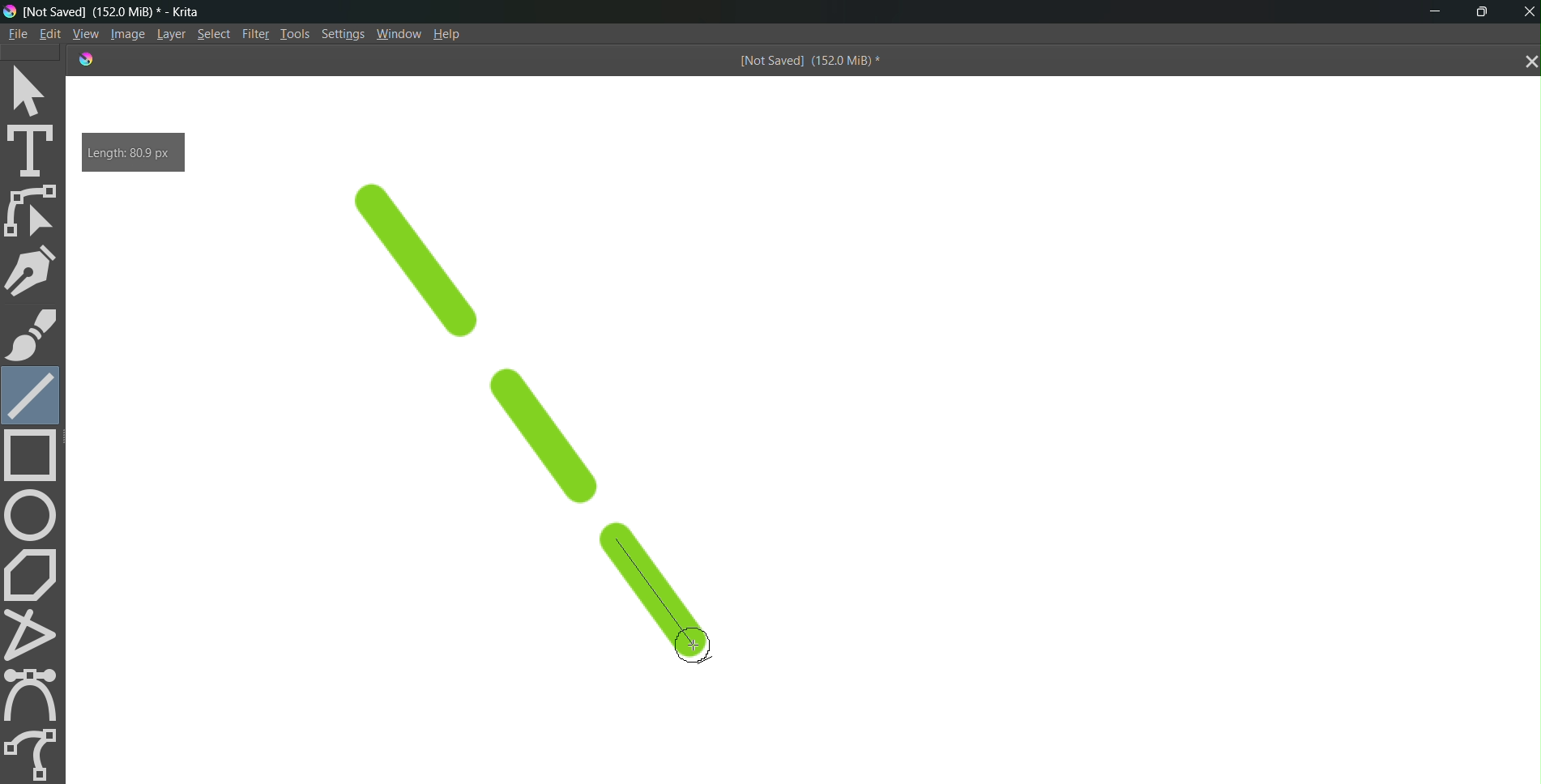 This screenshot has width=1541, height=784. Describe the element at coordinates (36, 634) in the screenshot. I see `polyline` at that location.